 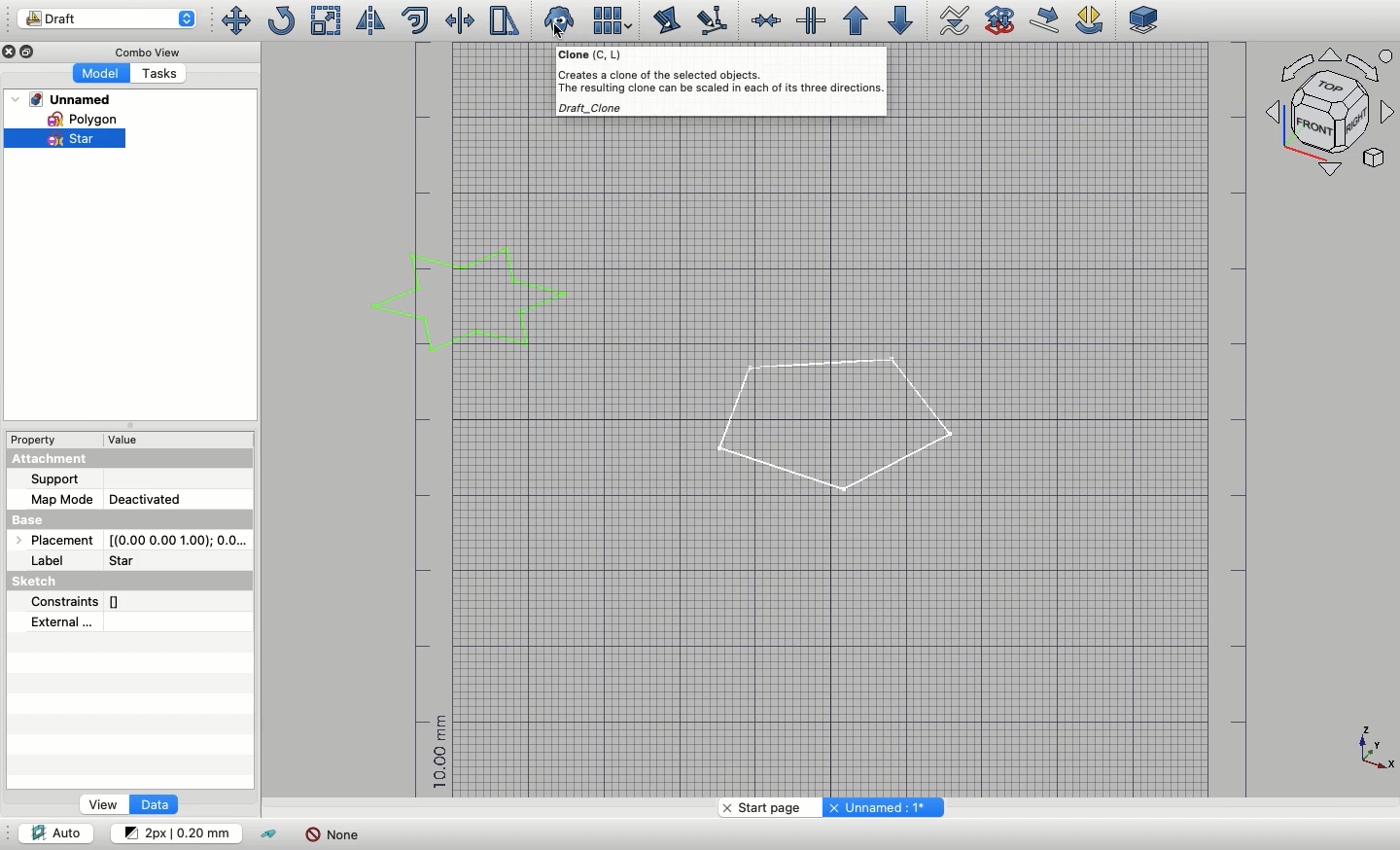 What do you see at coordinates (897, 20) in the screenshot?
I see `Downgrade` at bounding box center [897, 20].